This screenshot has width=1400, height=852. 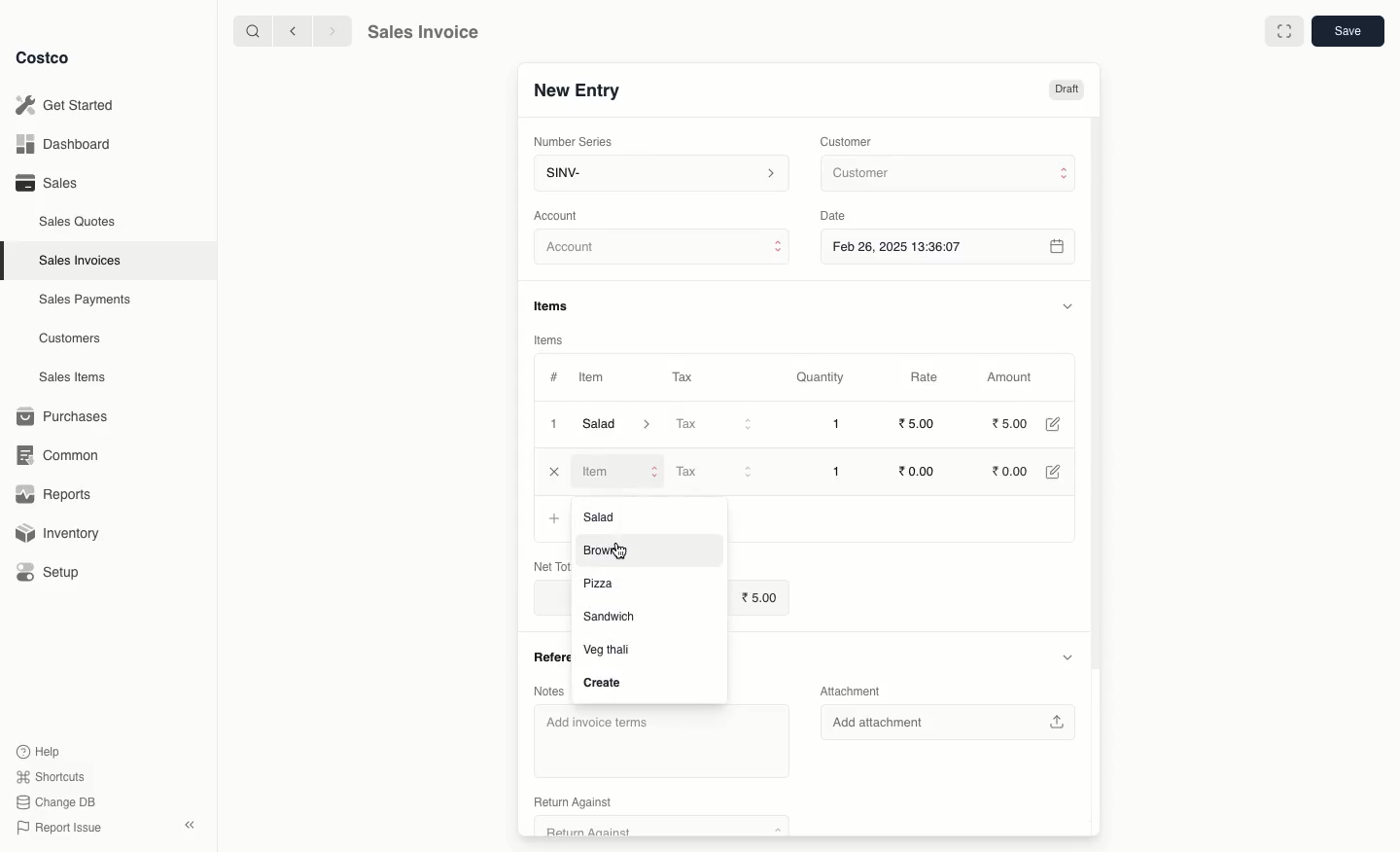 What do you see at coordinates (77, 377) in the screenshot?
I see `Sales Items` at bounding box center [77, 377].